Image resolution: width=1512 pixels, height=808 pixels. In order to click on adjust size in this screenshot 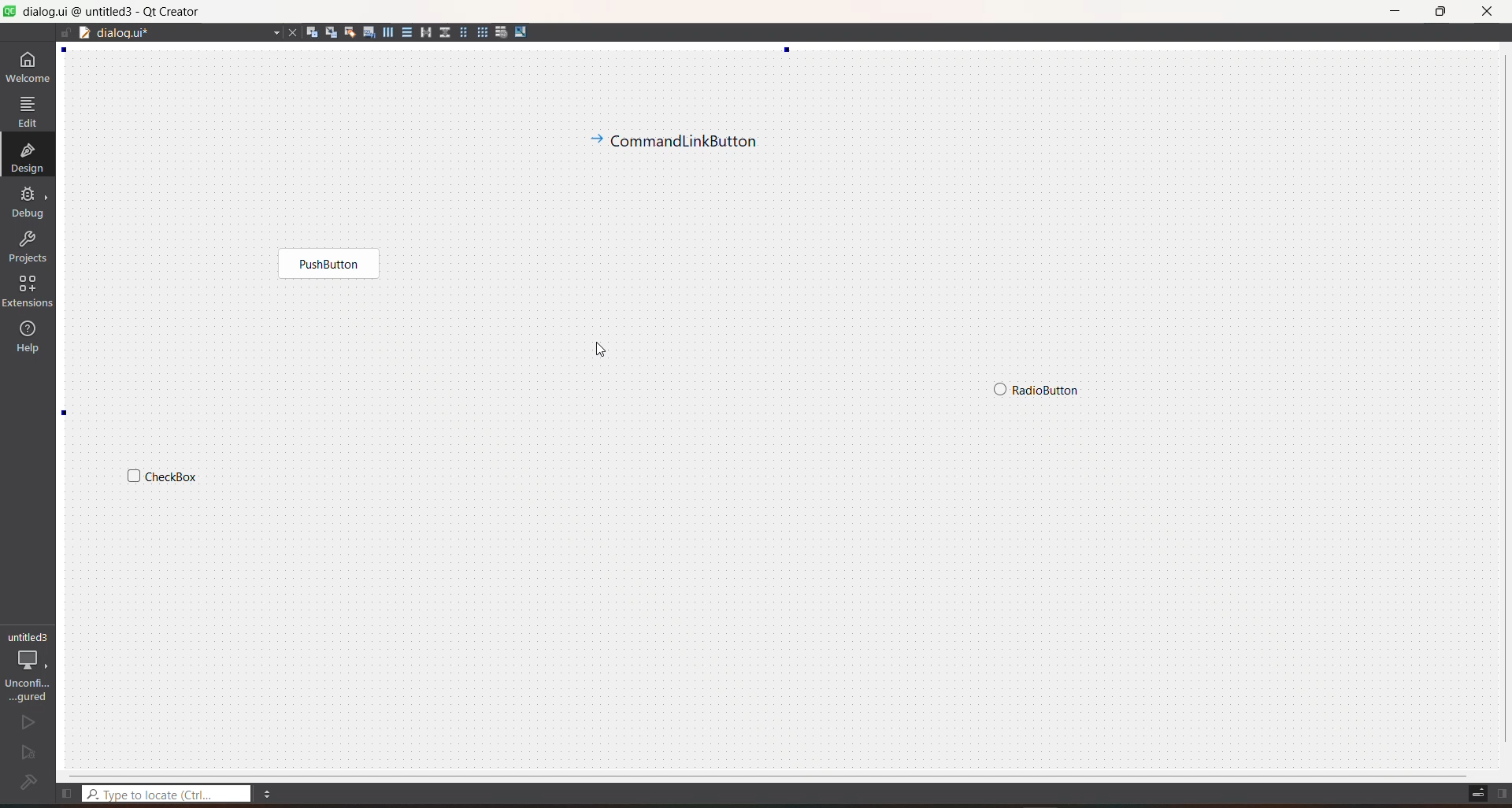, I will do `click(521, 33)`.